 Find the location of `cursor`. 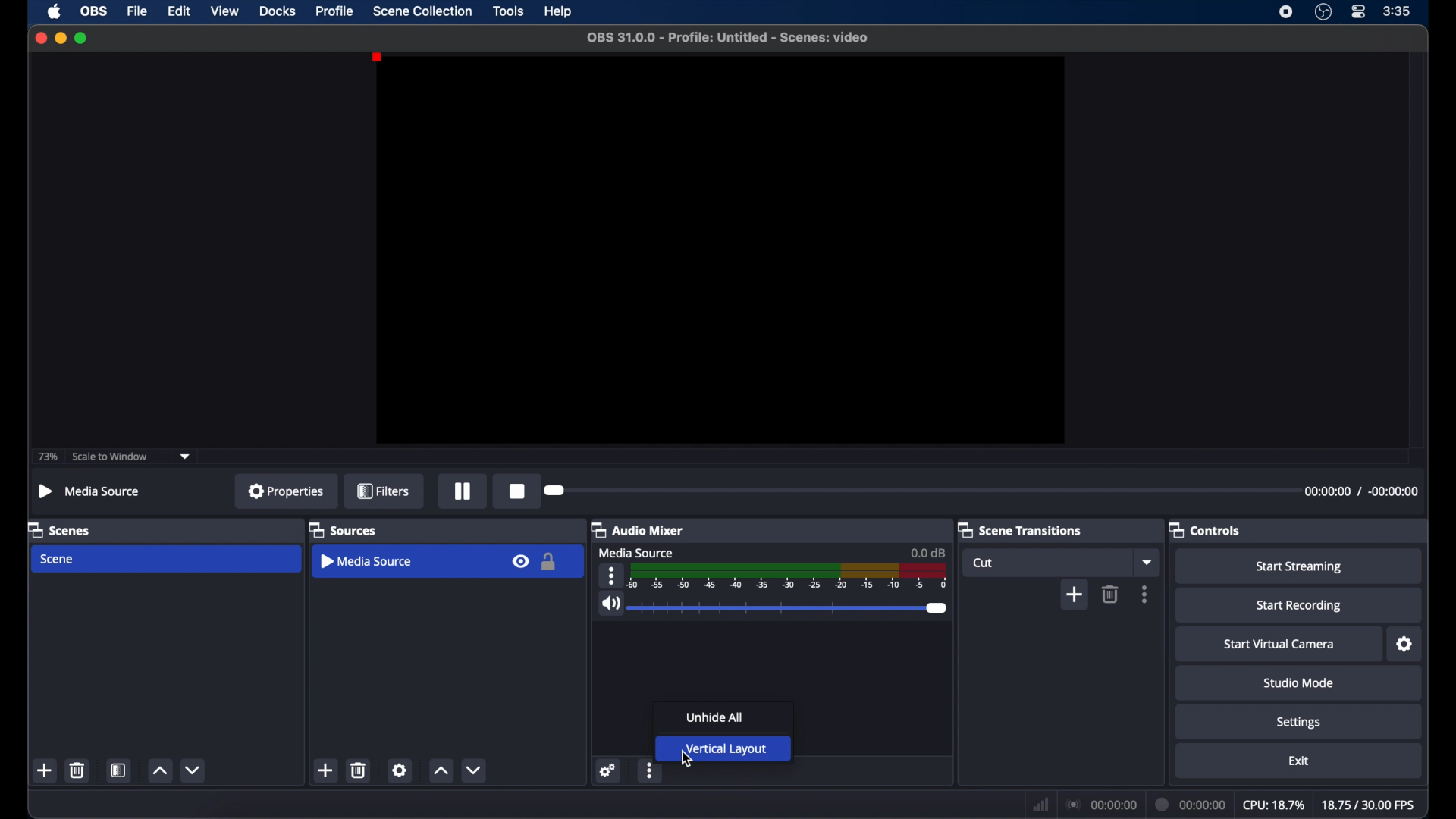

cursor is located at coordinates (686, 758).